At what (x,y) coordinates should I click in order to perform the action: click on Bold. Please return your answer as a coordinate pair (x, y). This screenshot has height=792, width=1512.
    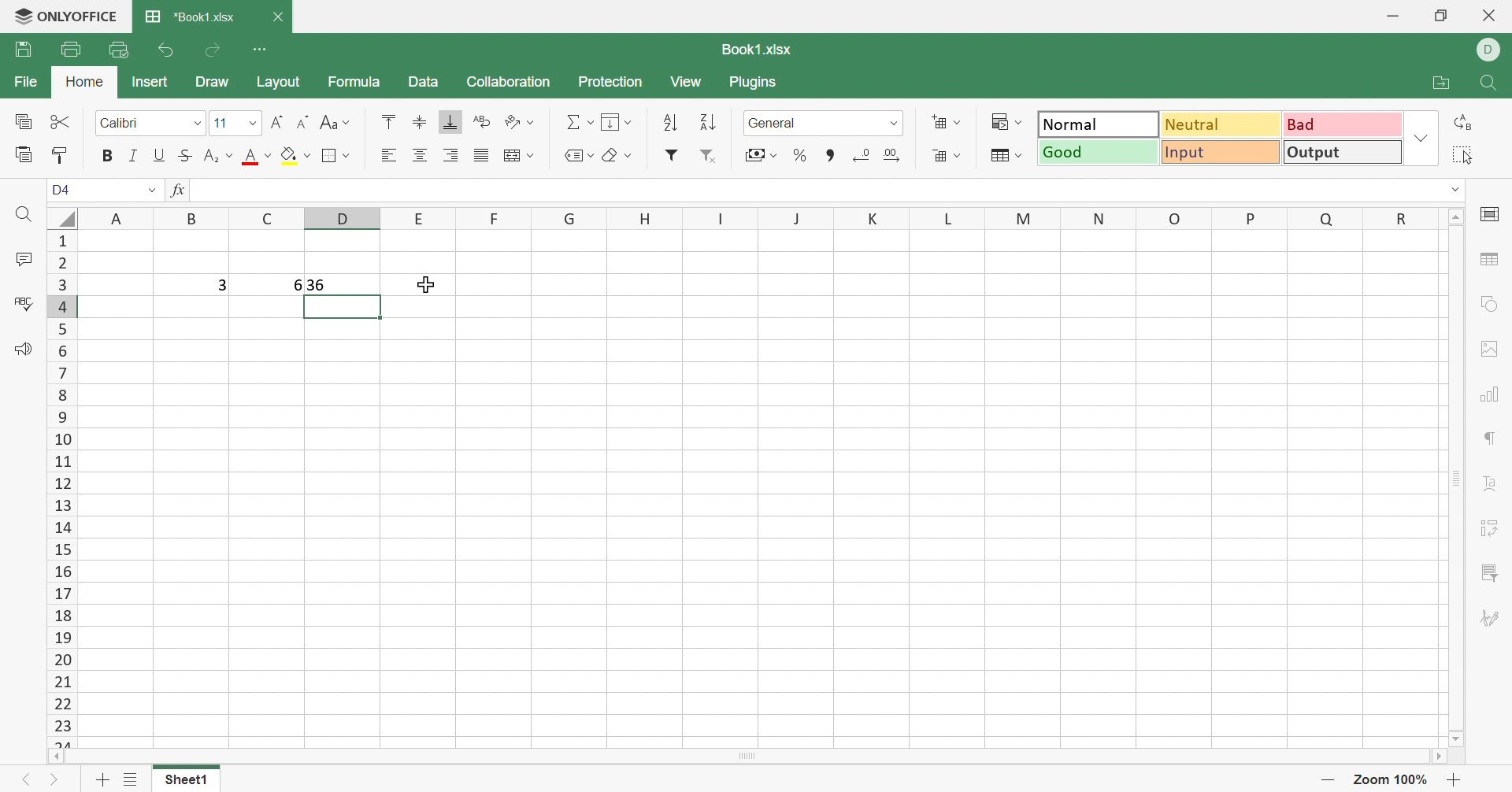
    Looking at the image, I should click on (105, 157).